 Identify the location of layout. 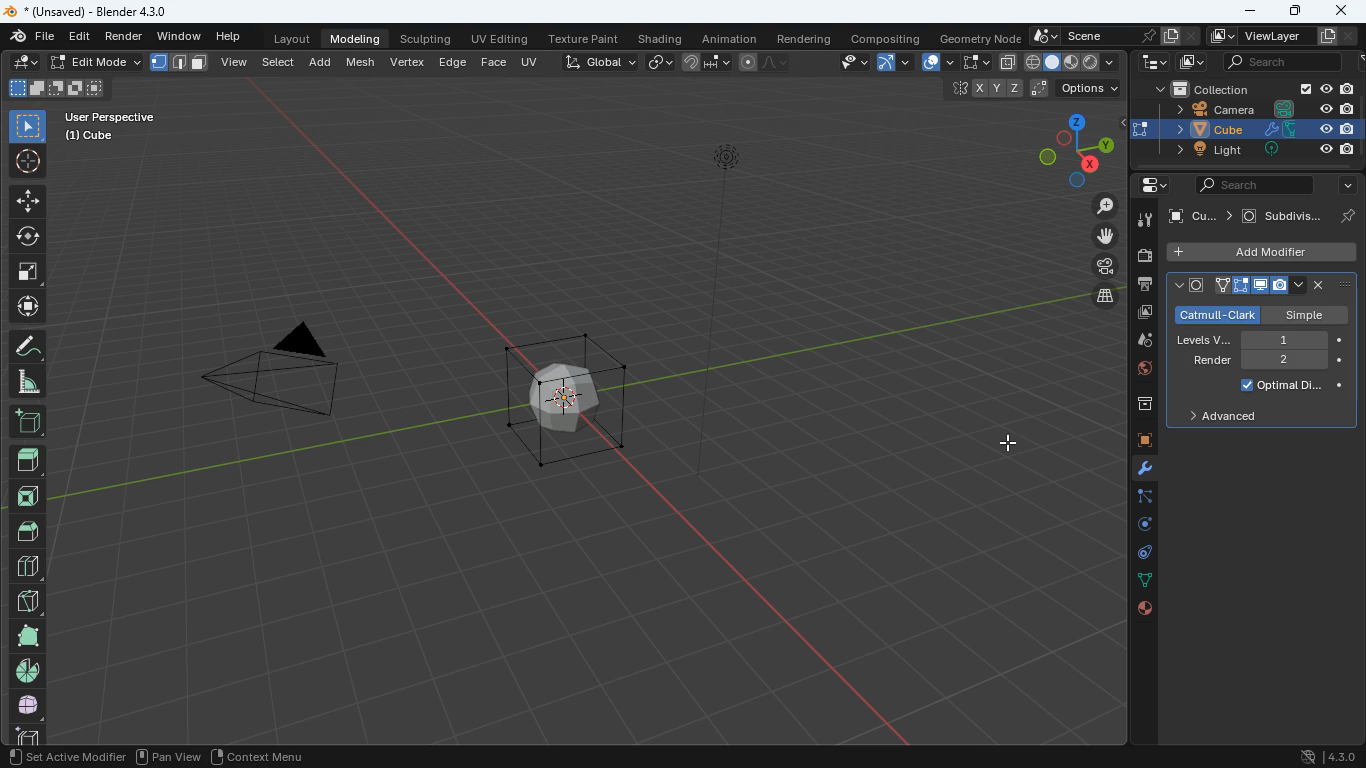
(287, 39).